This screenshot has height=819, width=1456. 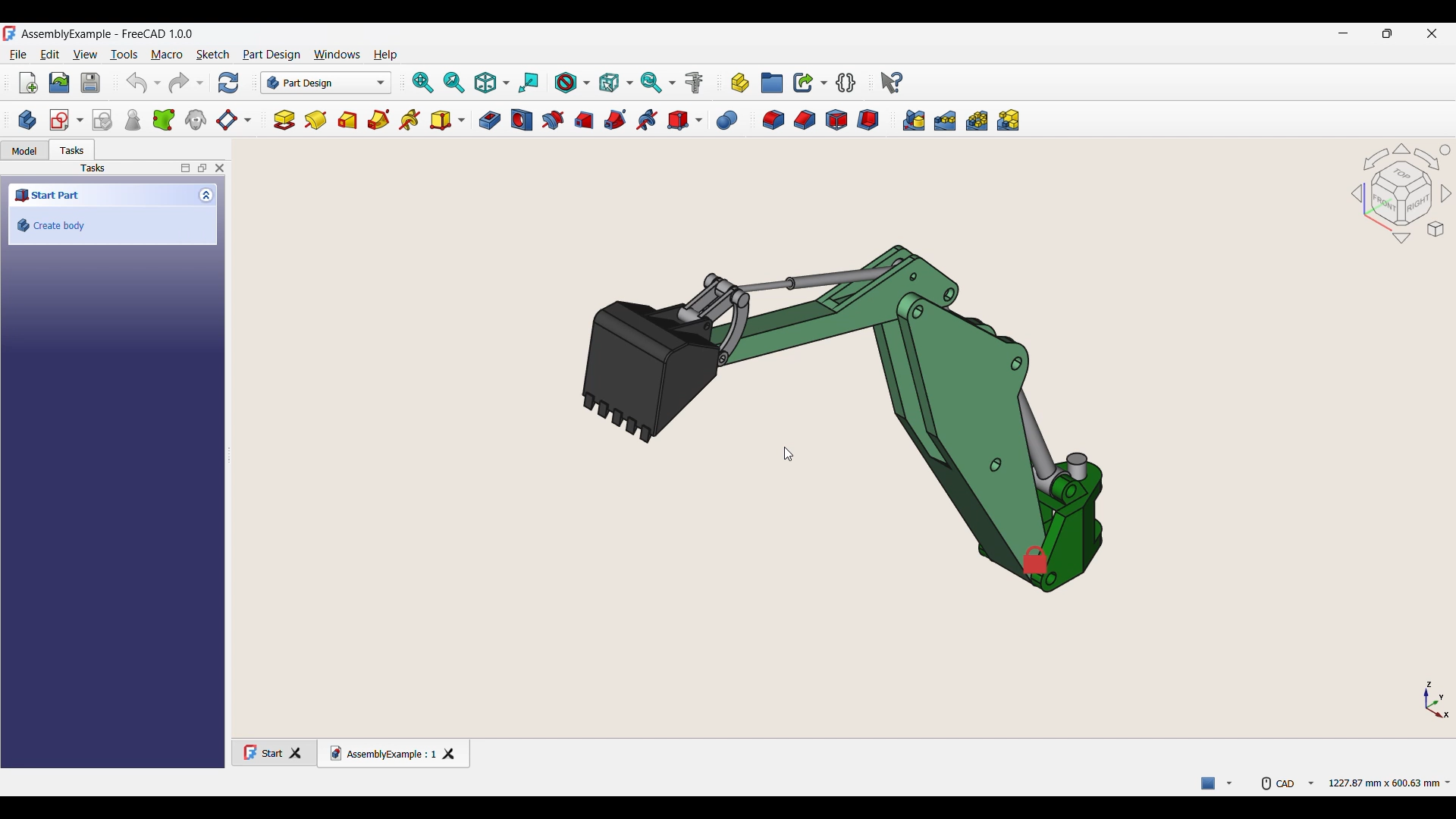 I want to click on File menu, so click(x=18, y=55).